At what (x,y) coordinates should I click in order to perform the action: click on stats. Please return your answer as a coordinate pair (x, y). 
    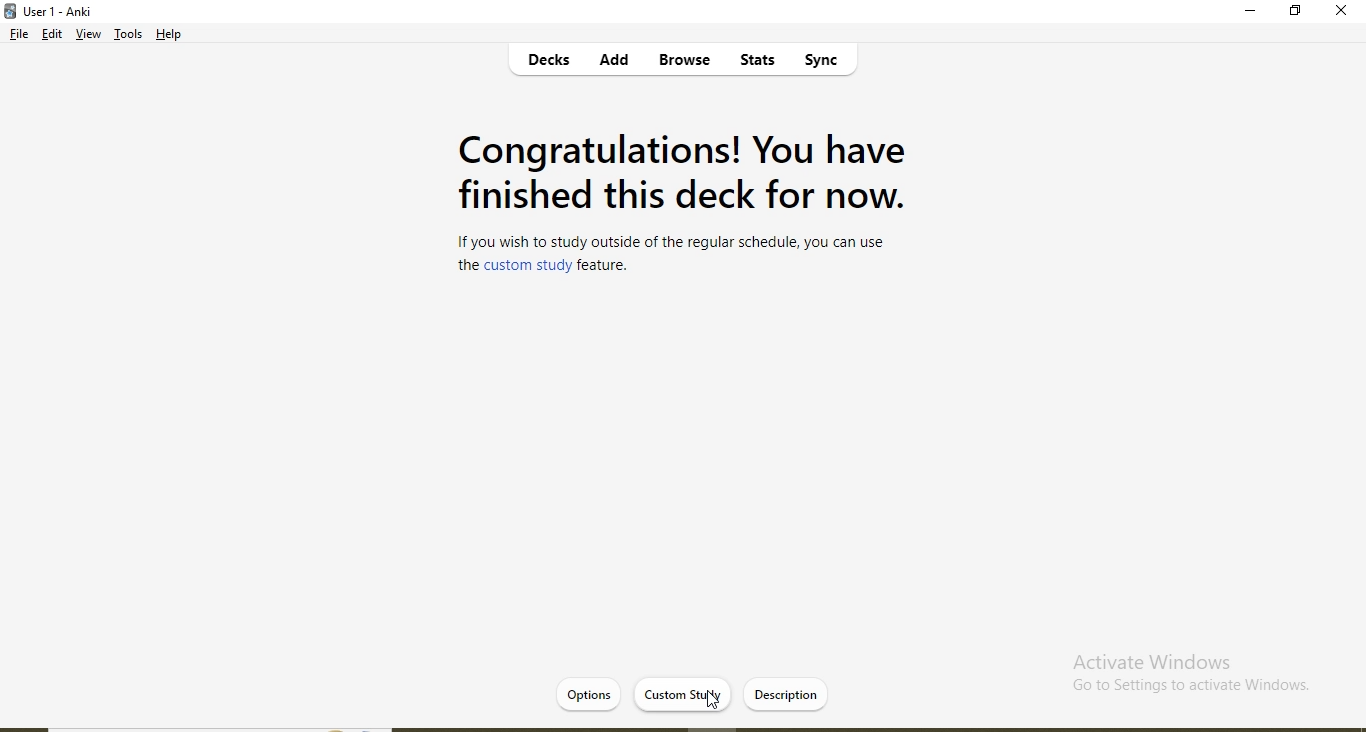
    Looking at the image, I should click on (754, 63).